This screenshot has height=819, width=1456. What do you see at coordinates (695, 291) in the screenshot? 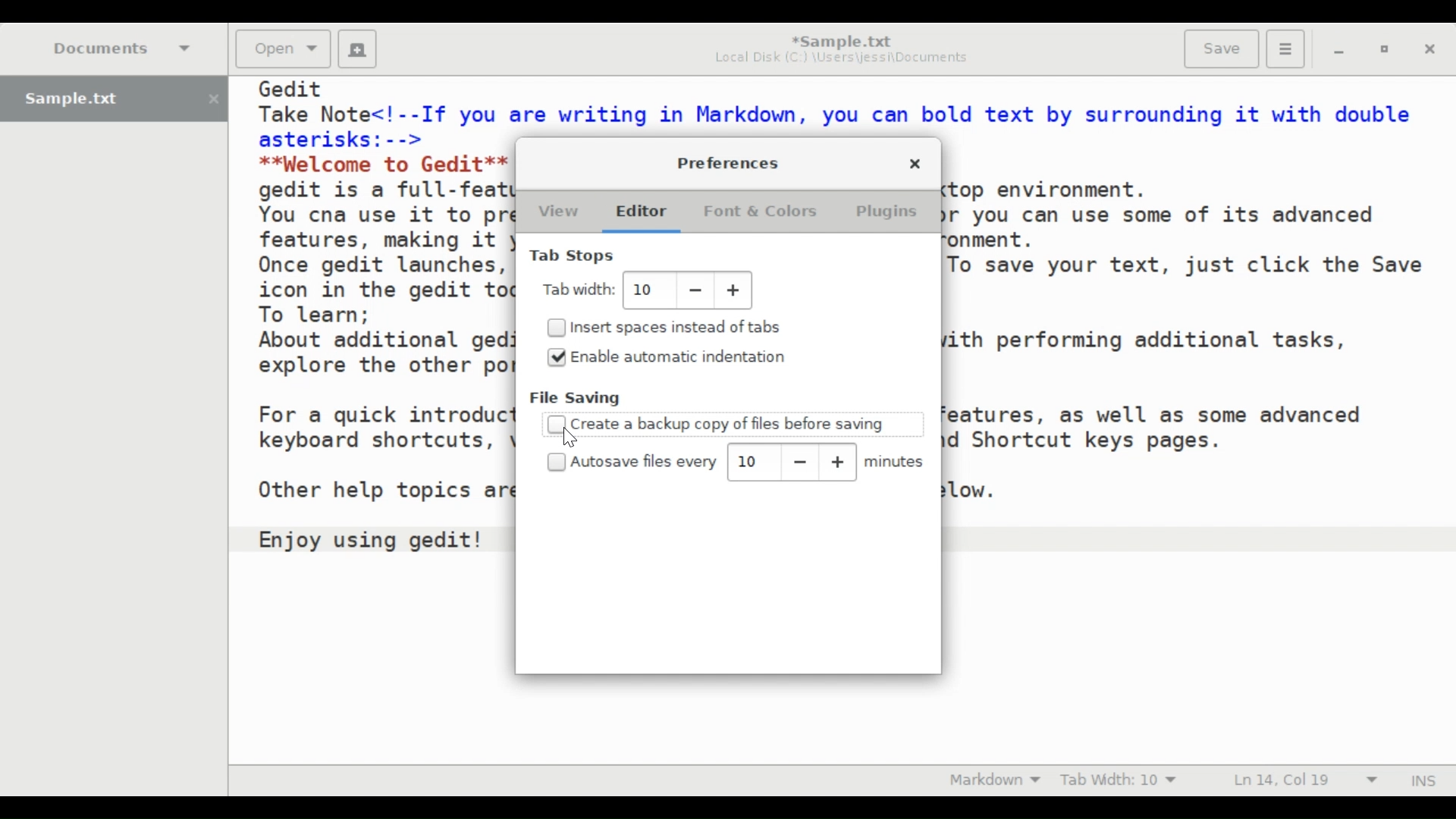
I see `decrease` at bounding box center [695, 291].